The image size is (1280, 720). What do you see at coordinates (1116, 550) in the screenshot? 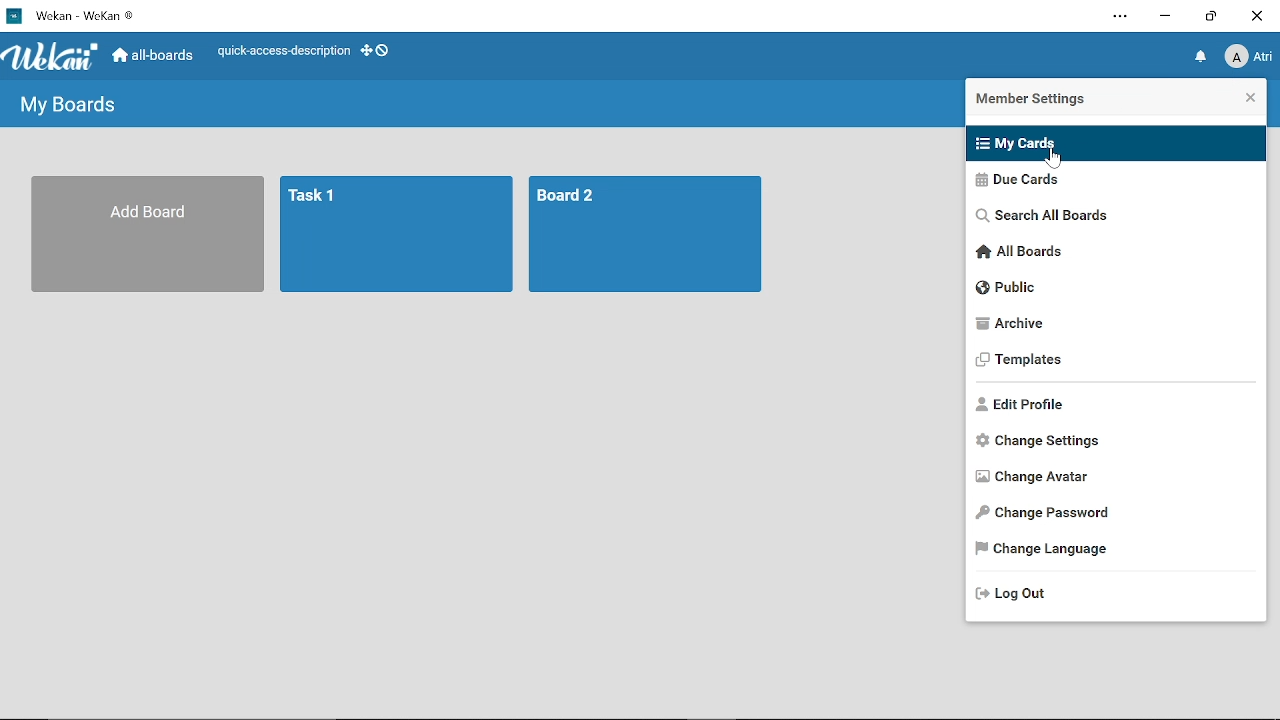
I see `Change Language` at bounding box center [1116, 550].